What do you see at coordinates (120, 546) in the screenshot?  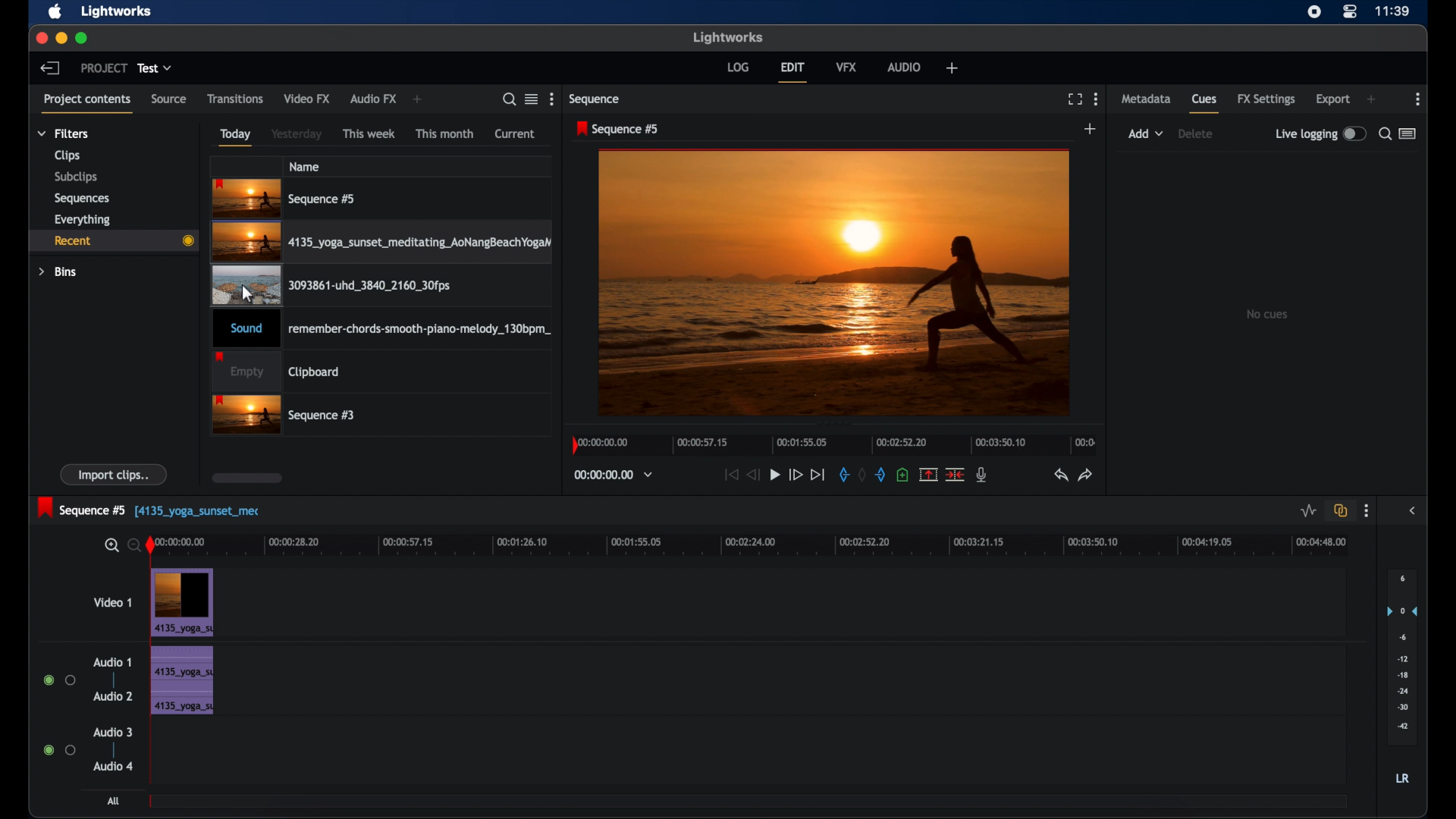 I see `zoom` at bounding box center [120, 546].